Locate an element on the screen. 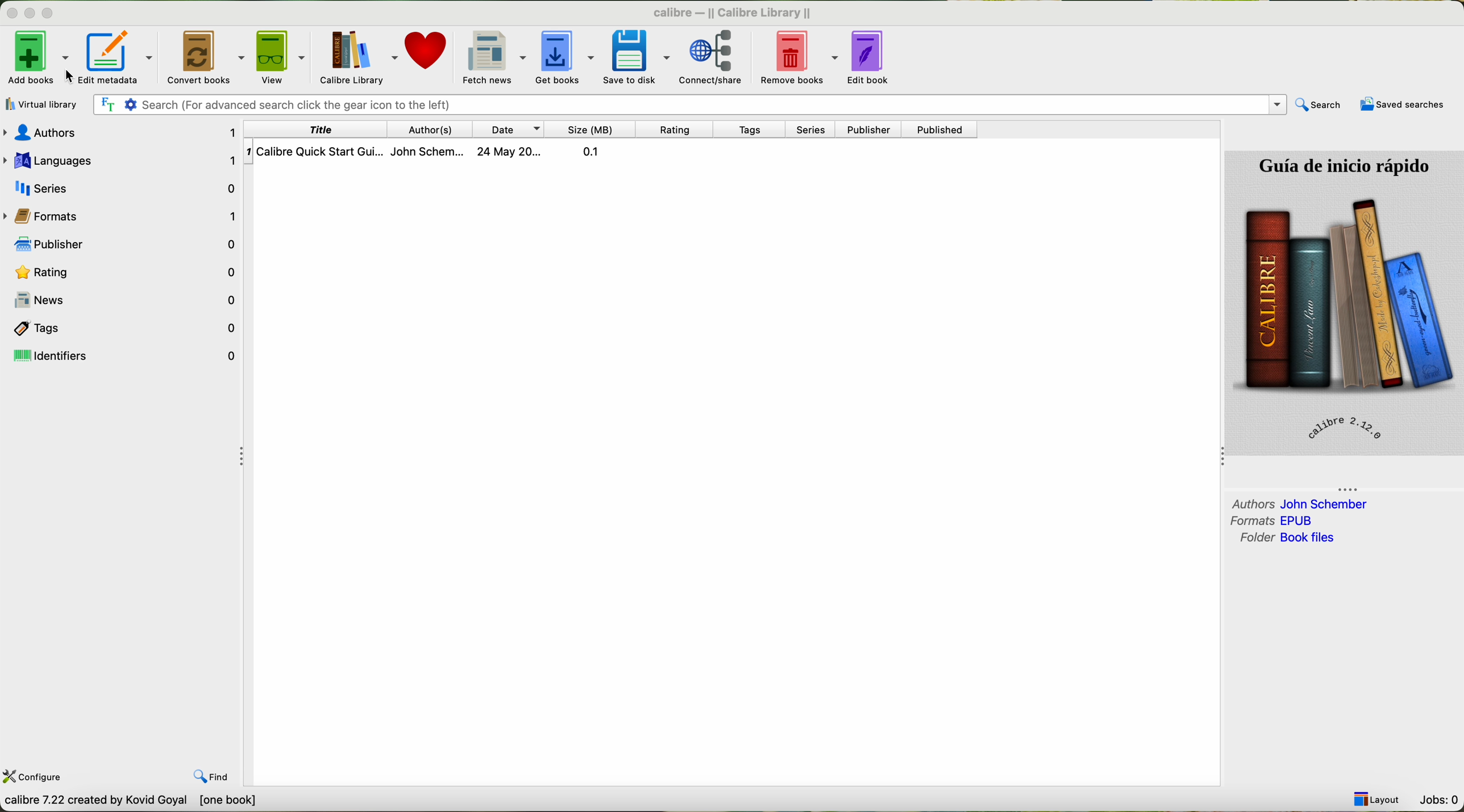  publisher is located at coordinates (868, 129).